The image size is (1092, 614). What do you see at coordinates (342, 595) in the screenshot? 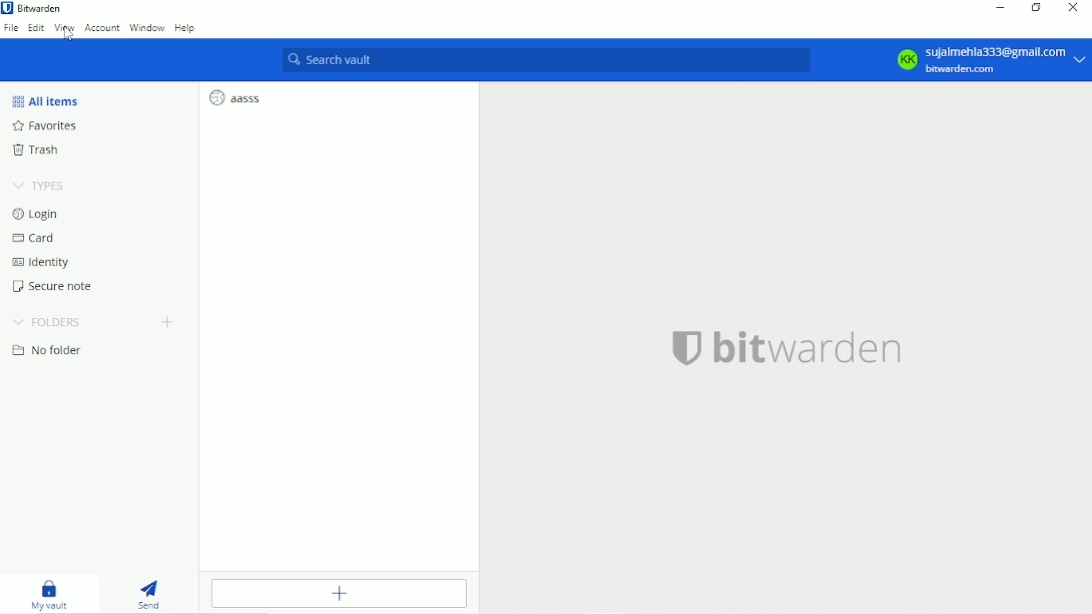
I see `Add item` at bounding box center [342, 595].